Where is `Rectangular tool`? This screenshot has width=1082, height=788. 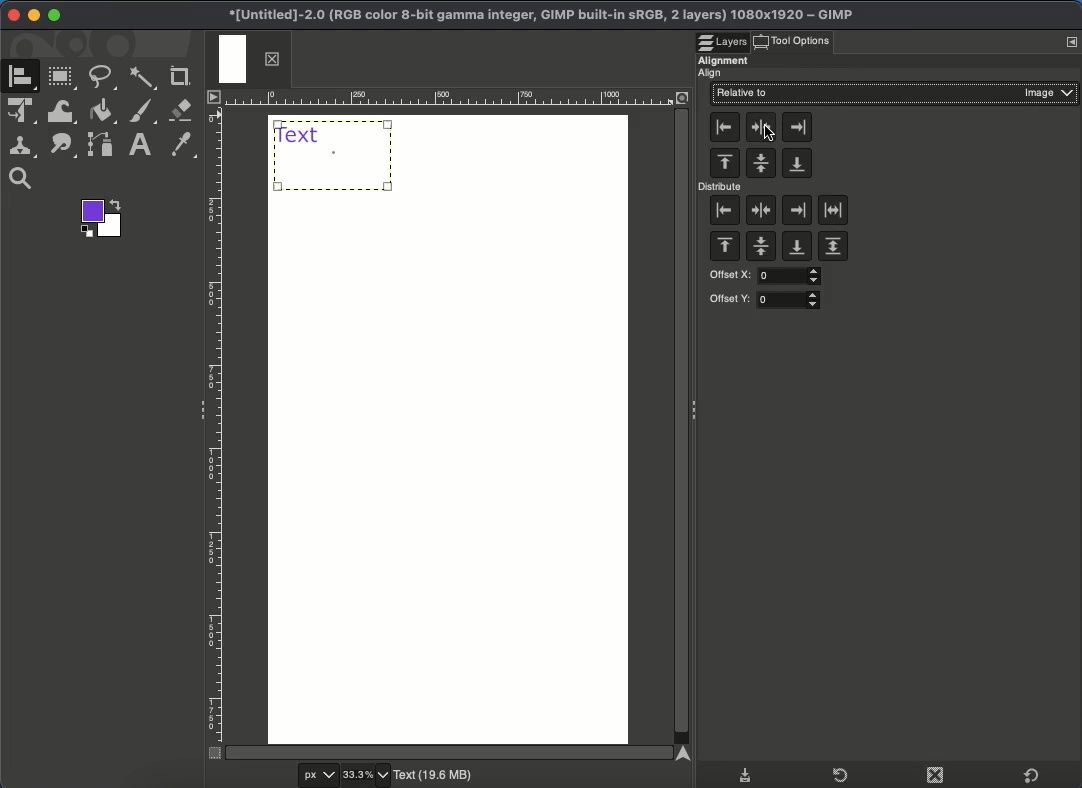
Rectangular tool is located at coordinates (63, 77).